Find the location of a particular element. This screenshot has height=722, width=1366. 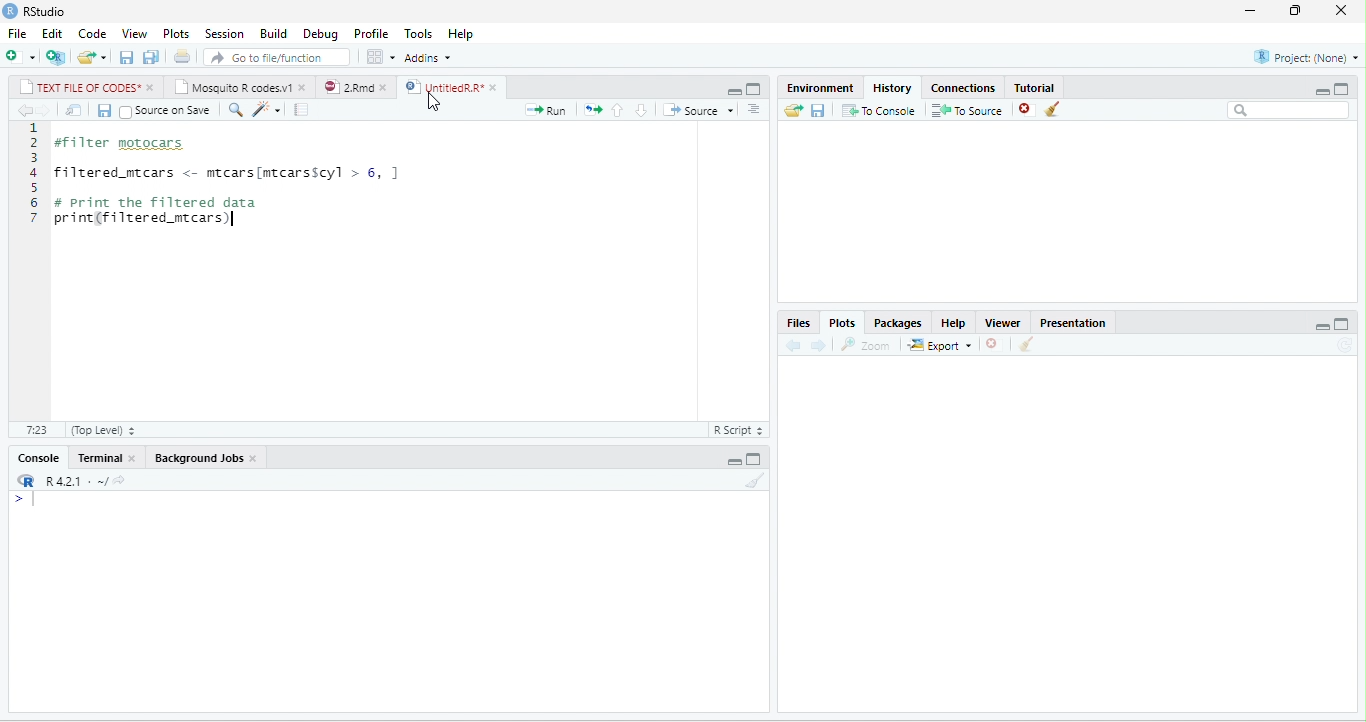

Top Level is located at coordinates (104, 430).